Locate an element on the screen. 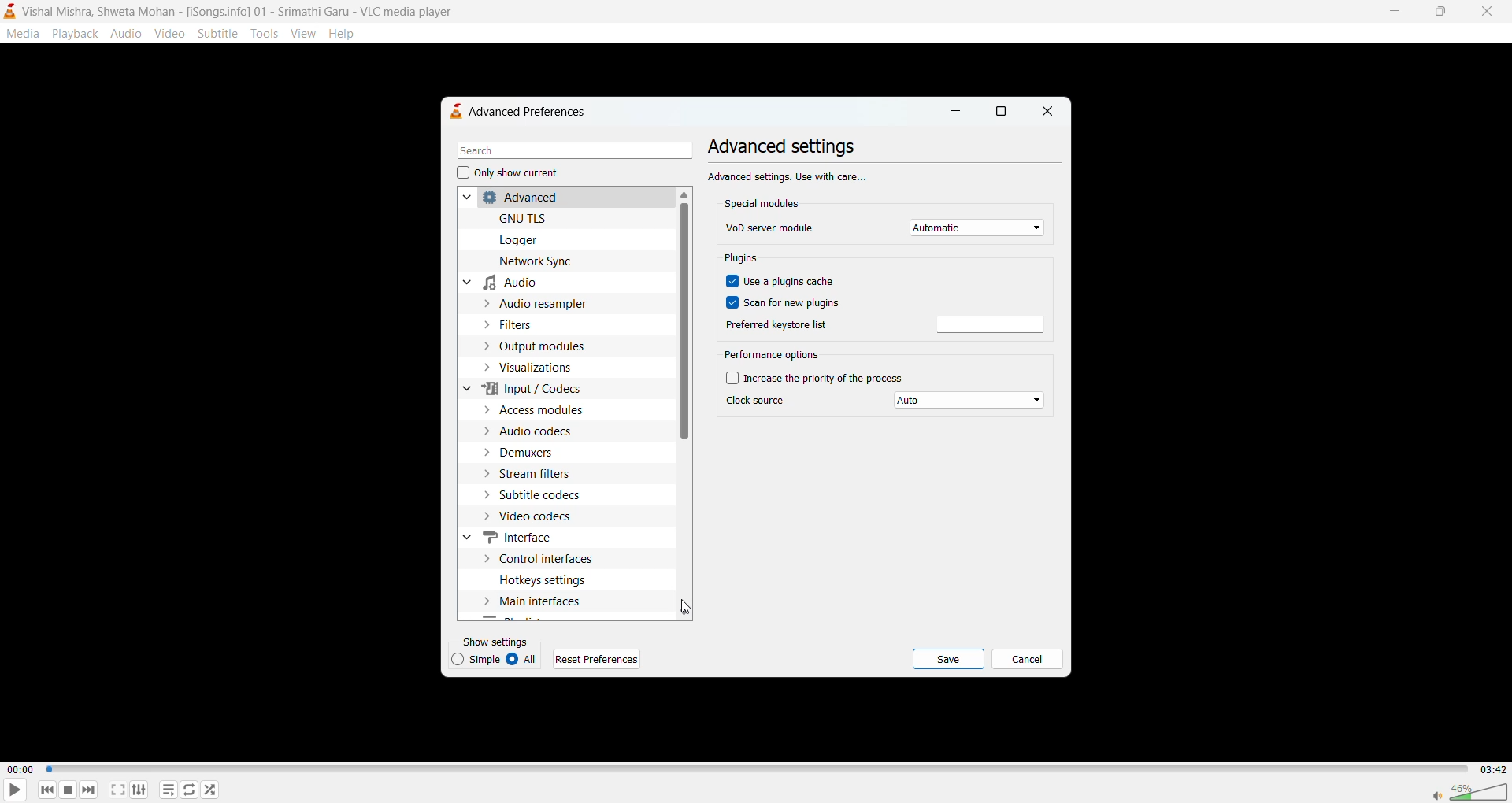 The width and height of the screenshot is (1512, 803). save is located at coordinates (949, 660).